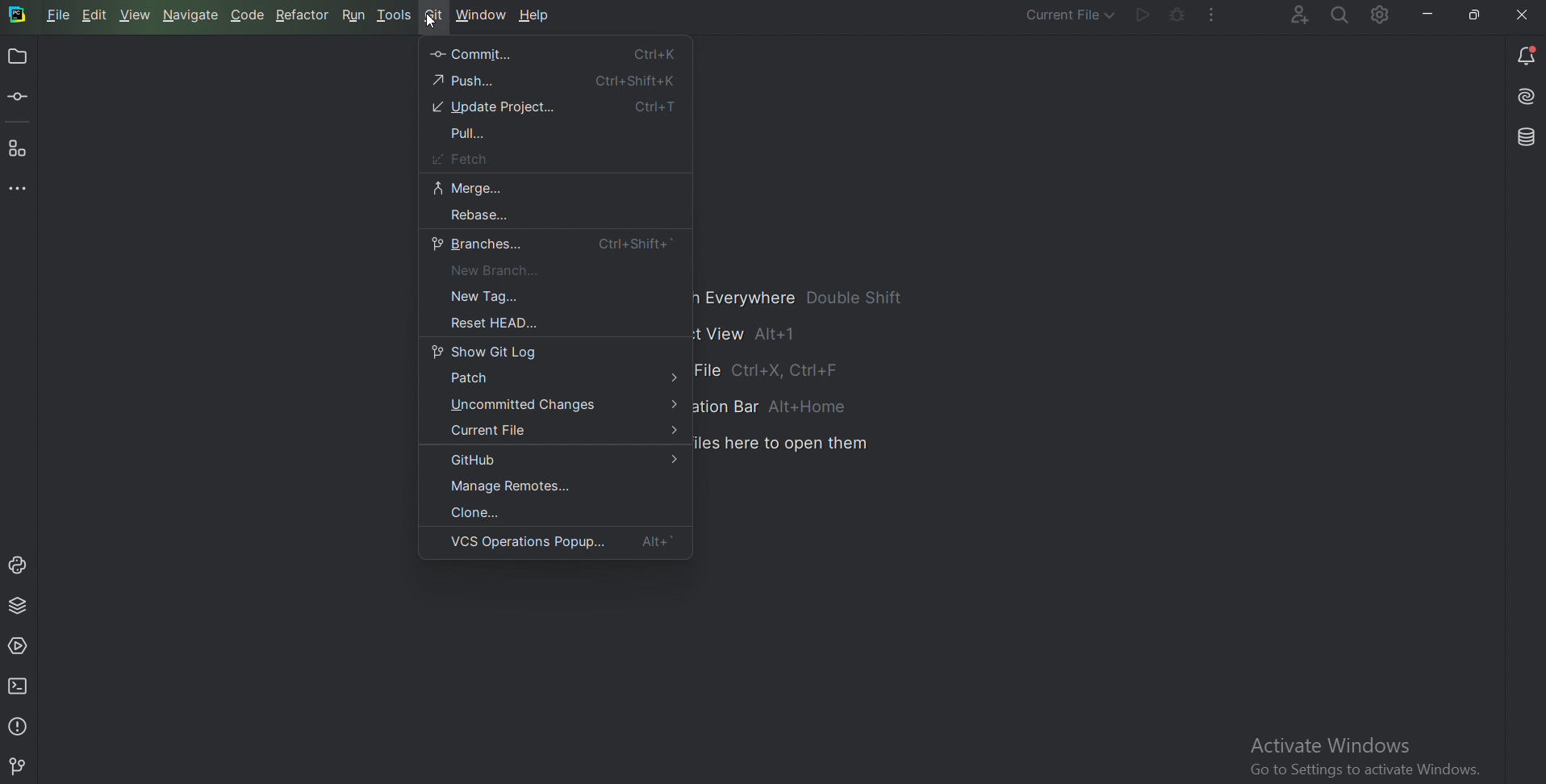  I want to click on Code, so click(248, 15).